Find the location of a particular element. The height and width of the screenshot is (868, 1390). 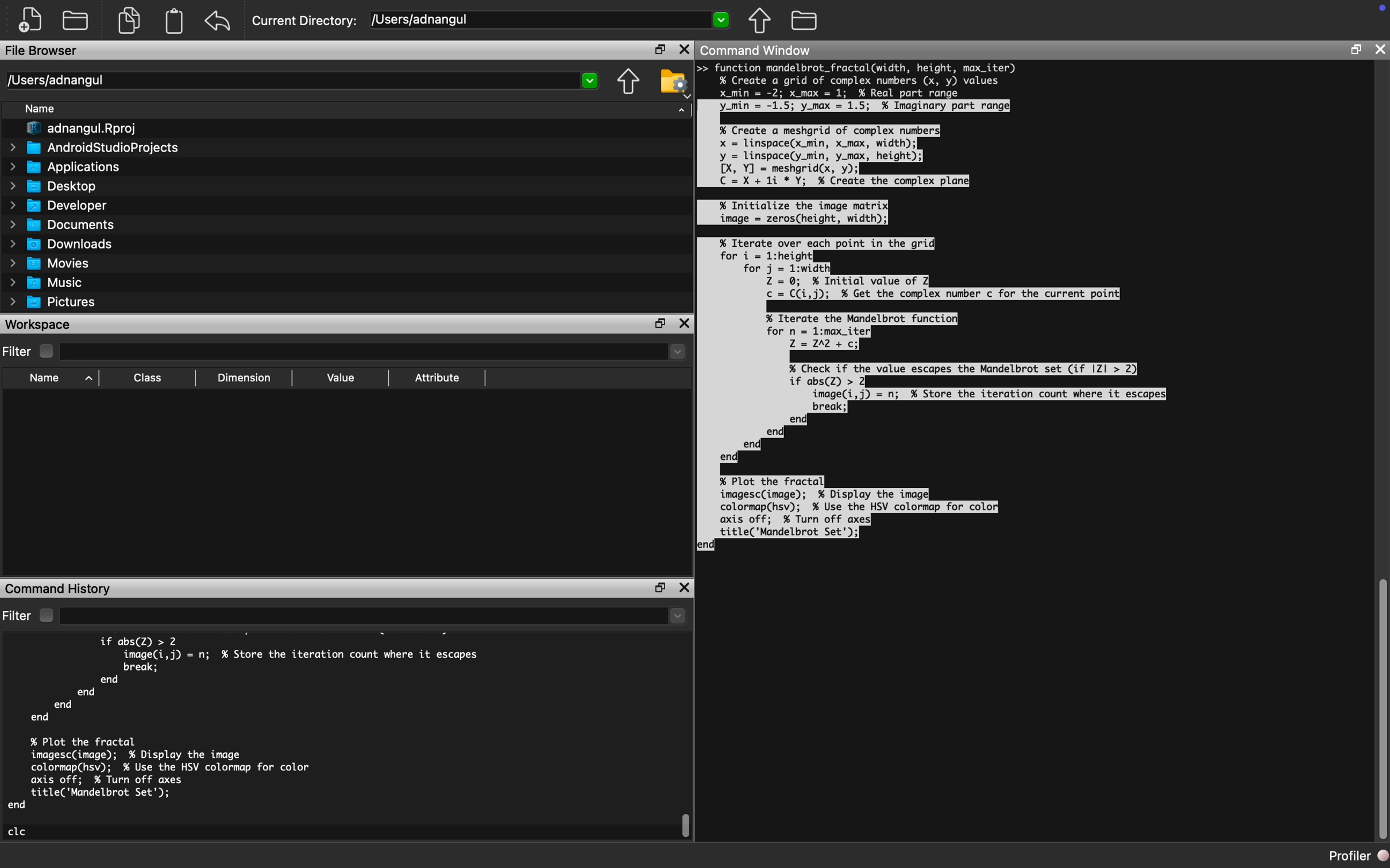

Open Folder is located at coordinates (78, 18).